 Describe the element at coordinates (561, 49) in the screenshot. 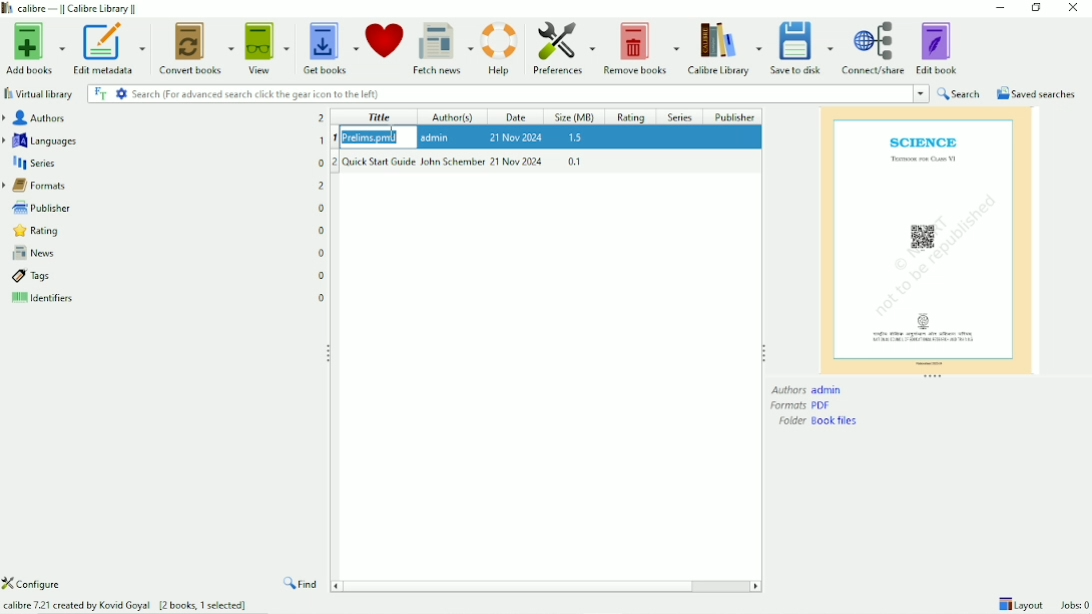

I see `Preferences` at that location.